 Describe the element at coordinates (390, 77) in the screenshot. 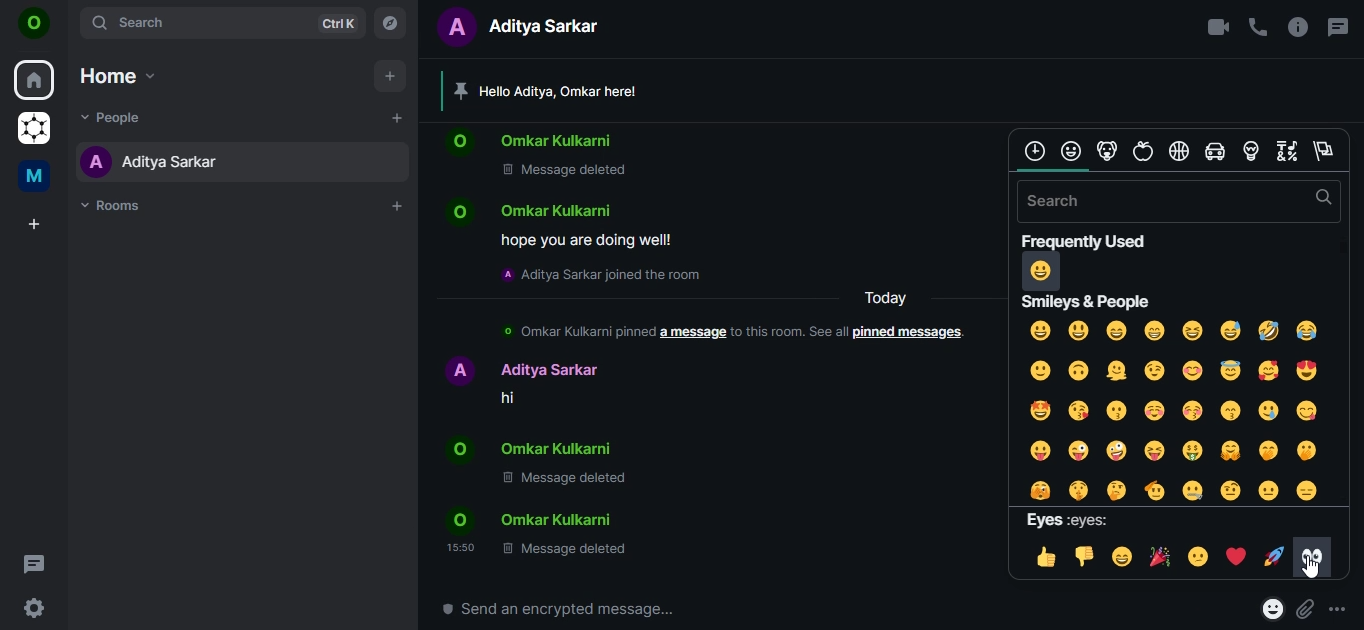

I see `add` at that location.